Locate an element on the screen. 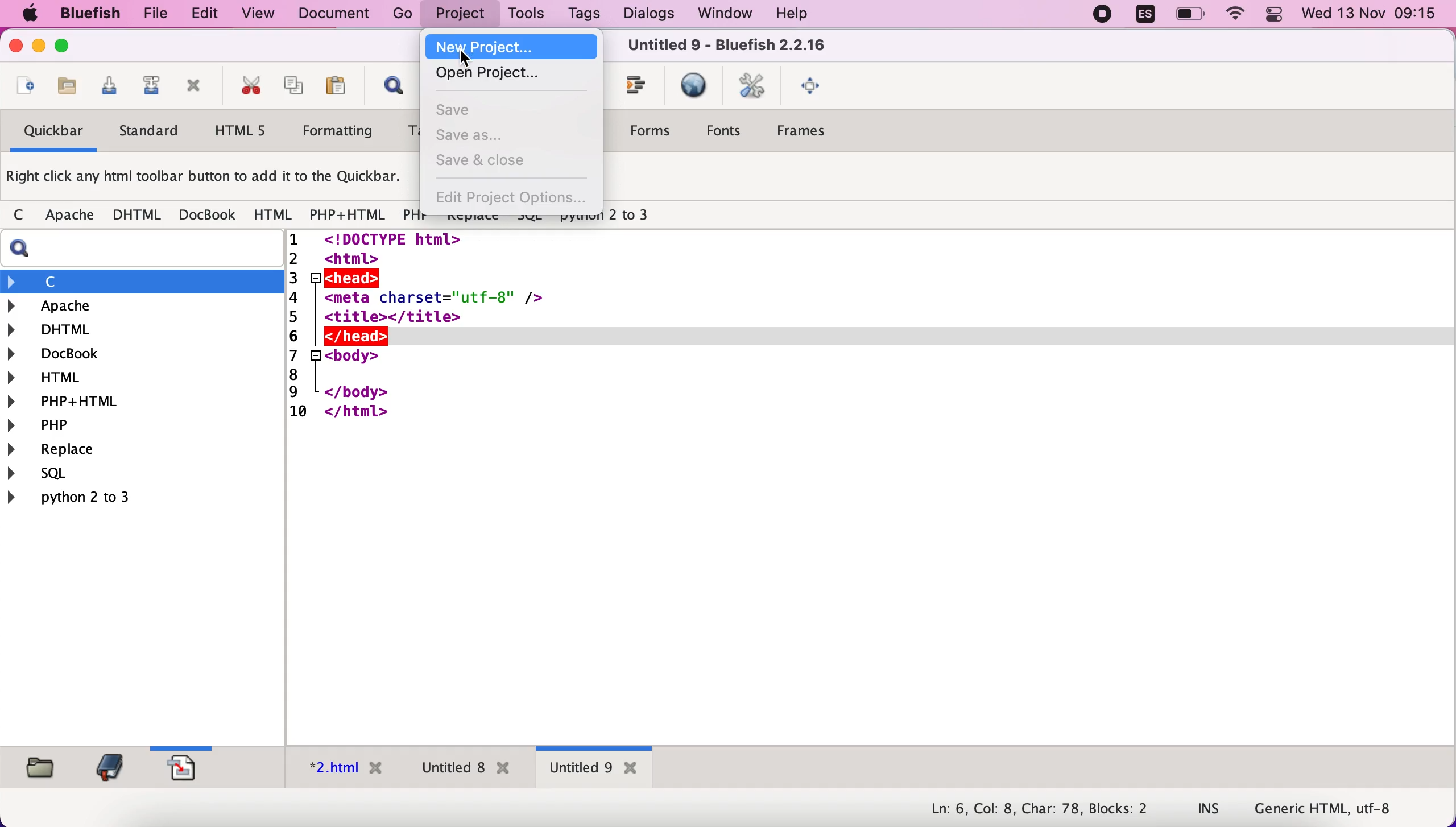 This screenshot has width=1456, height=827. save file as is located at coordinates (148, 89).